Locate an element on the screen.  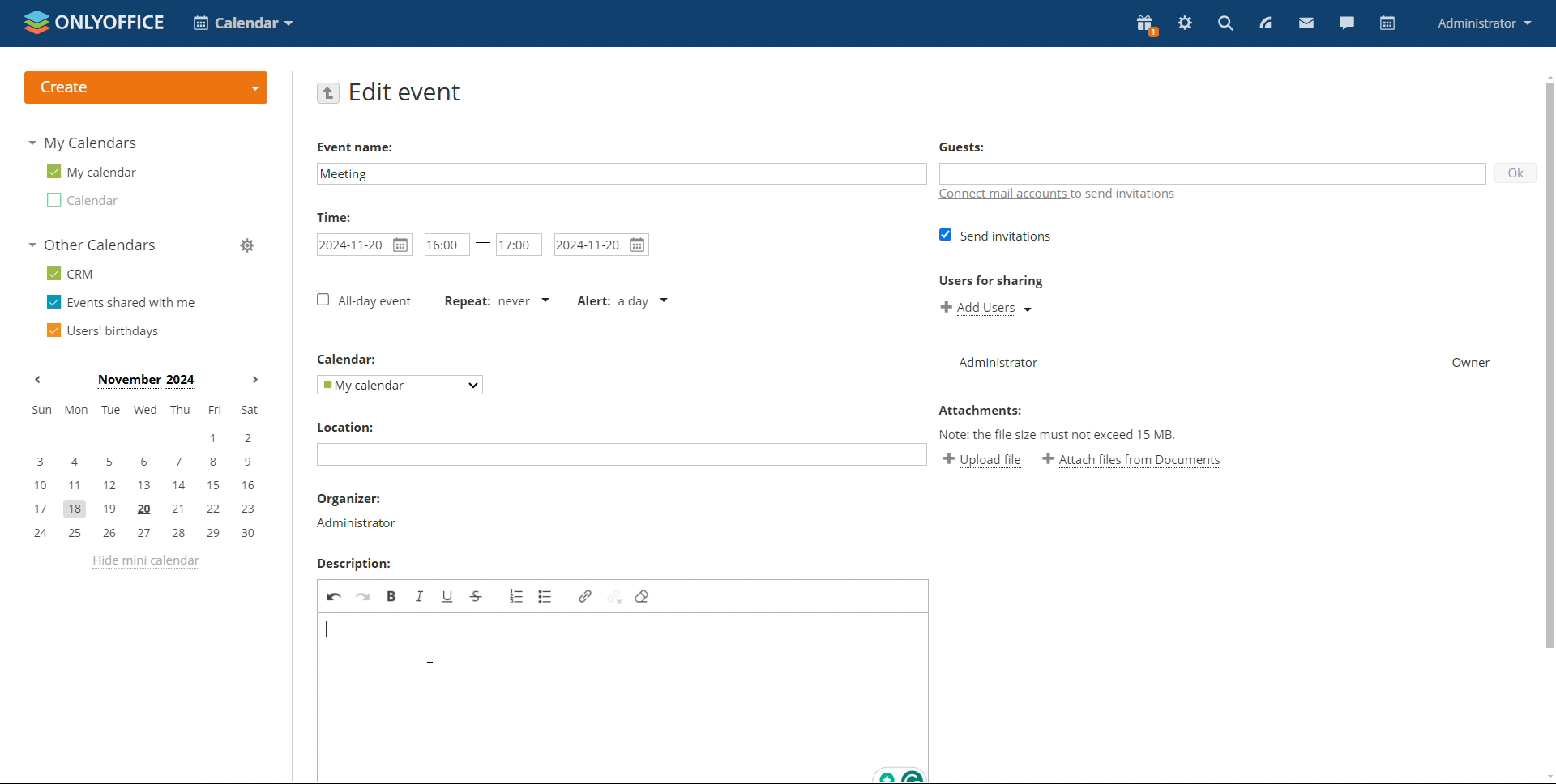
alert type is located at coordinates (623, 302).